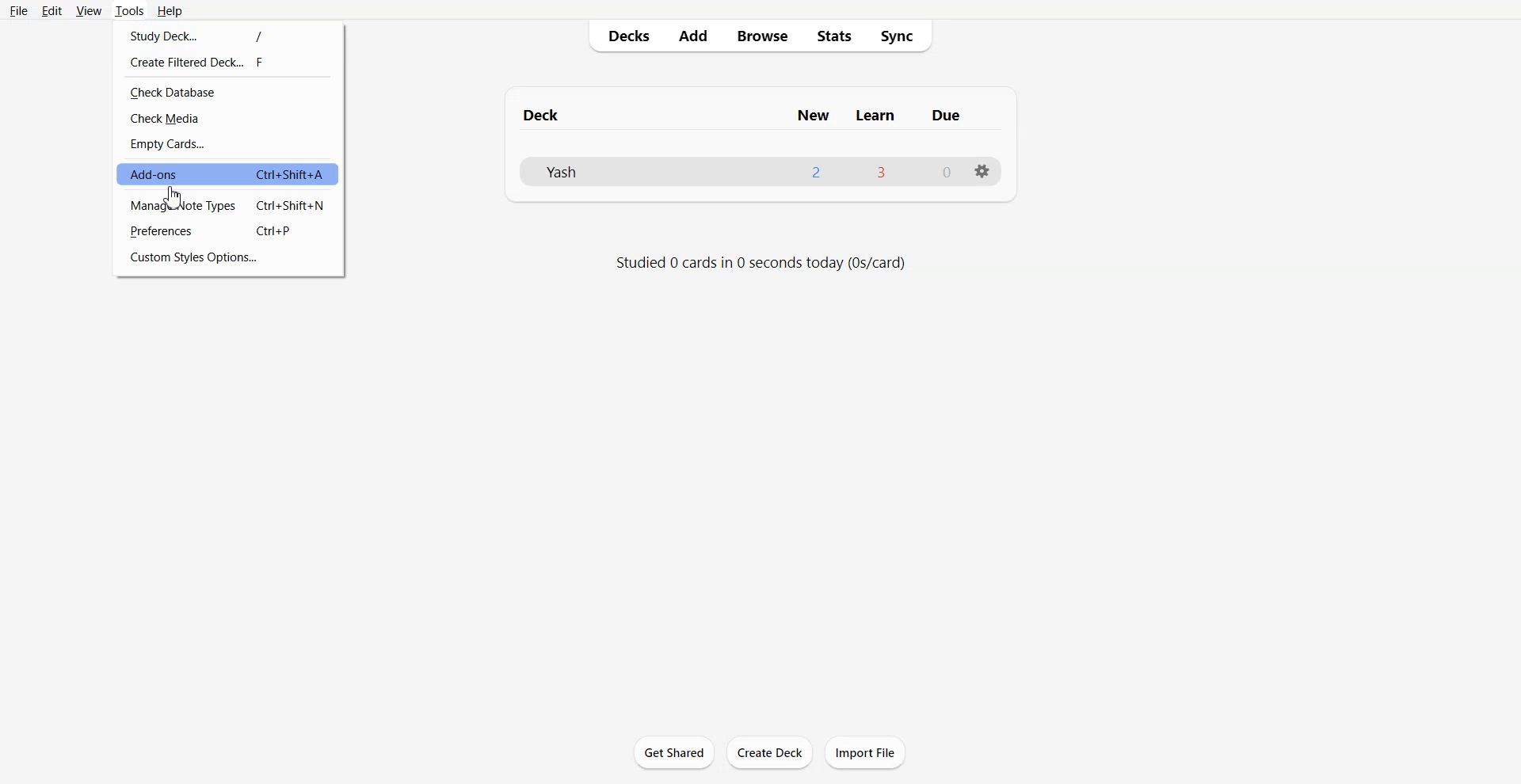 The width and height of the screenshot is (1521, 784). Describe the element at coordinates (51, 10) in the screenshot. I see `Edit` at that location.